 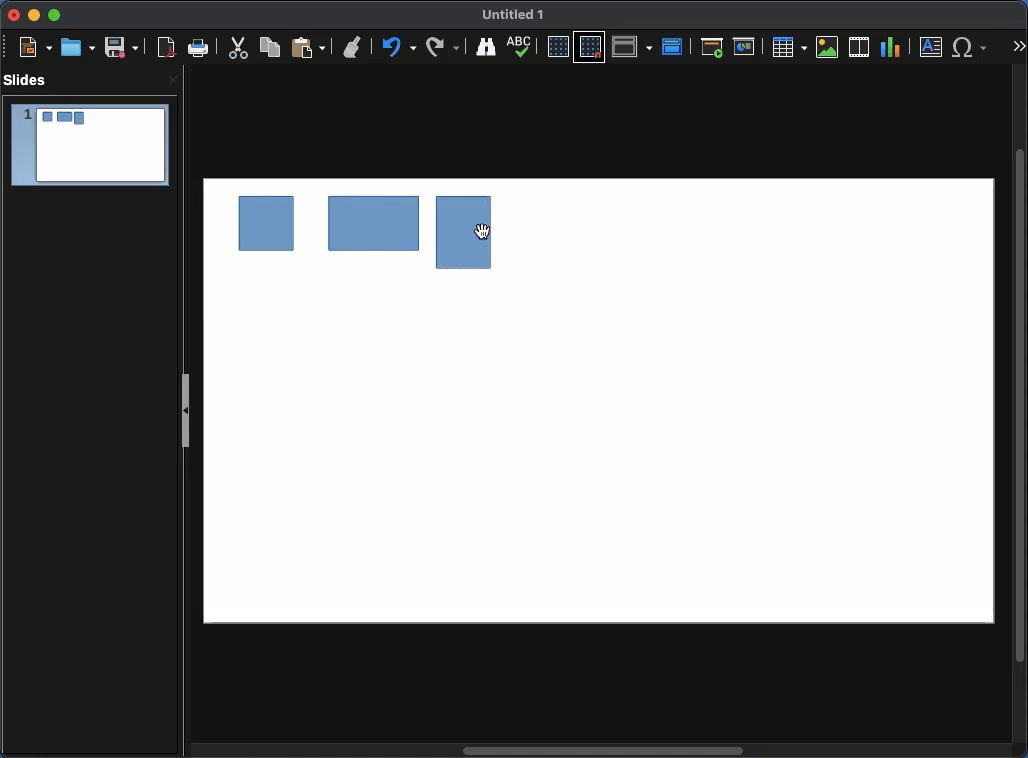 What do you see at coordinates (590, 47) in the screenshot?
I see `Snap to grid` at bounding box center [590, 47].